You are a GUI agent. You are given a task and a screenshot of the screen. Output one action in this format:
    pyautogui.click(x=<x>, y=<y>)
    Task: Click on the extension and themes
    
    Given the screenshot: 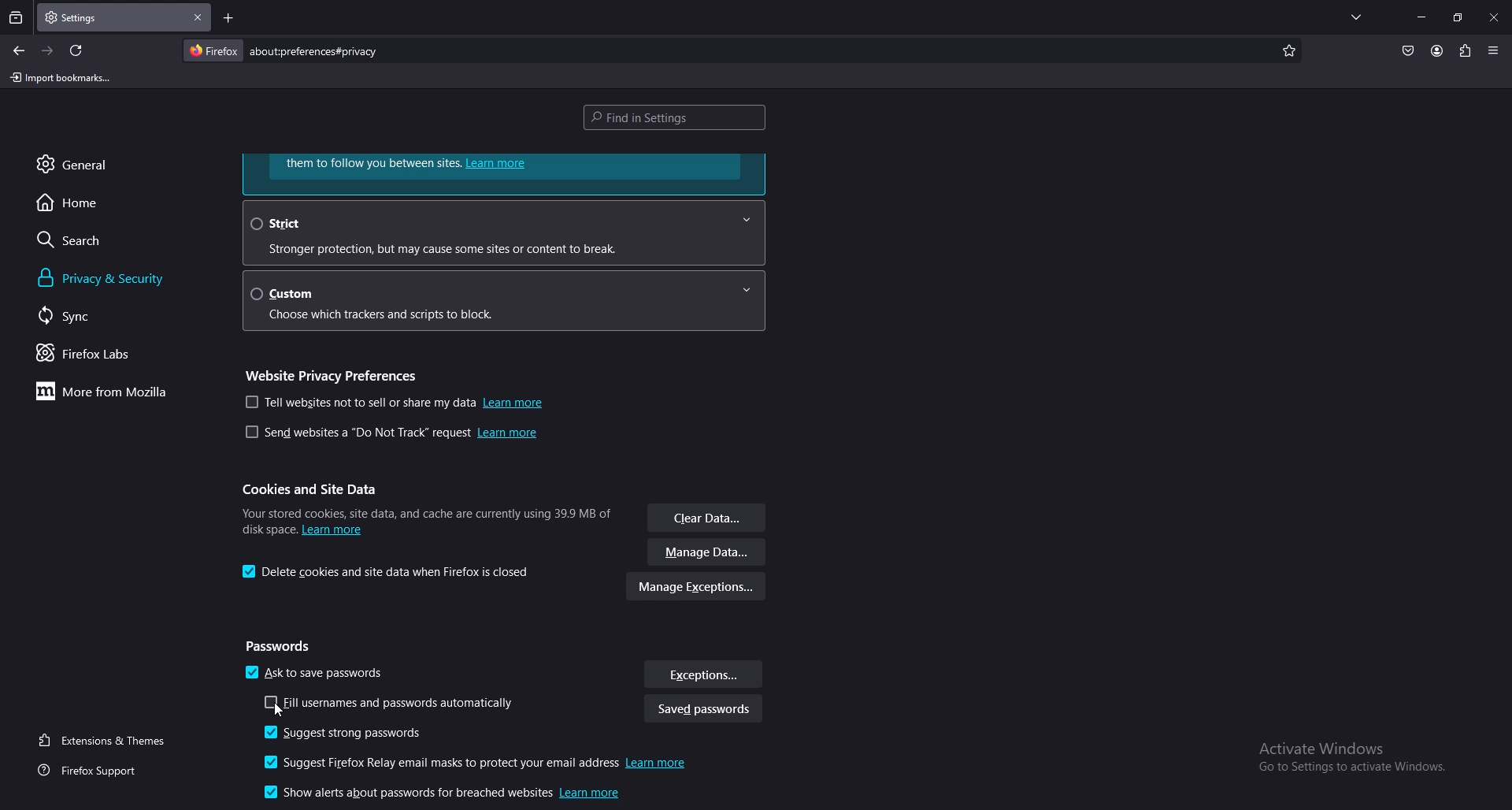 What is the action you would take?
    pyautogui.click(x=105, y=740)
    